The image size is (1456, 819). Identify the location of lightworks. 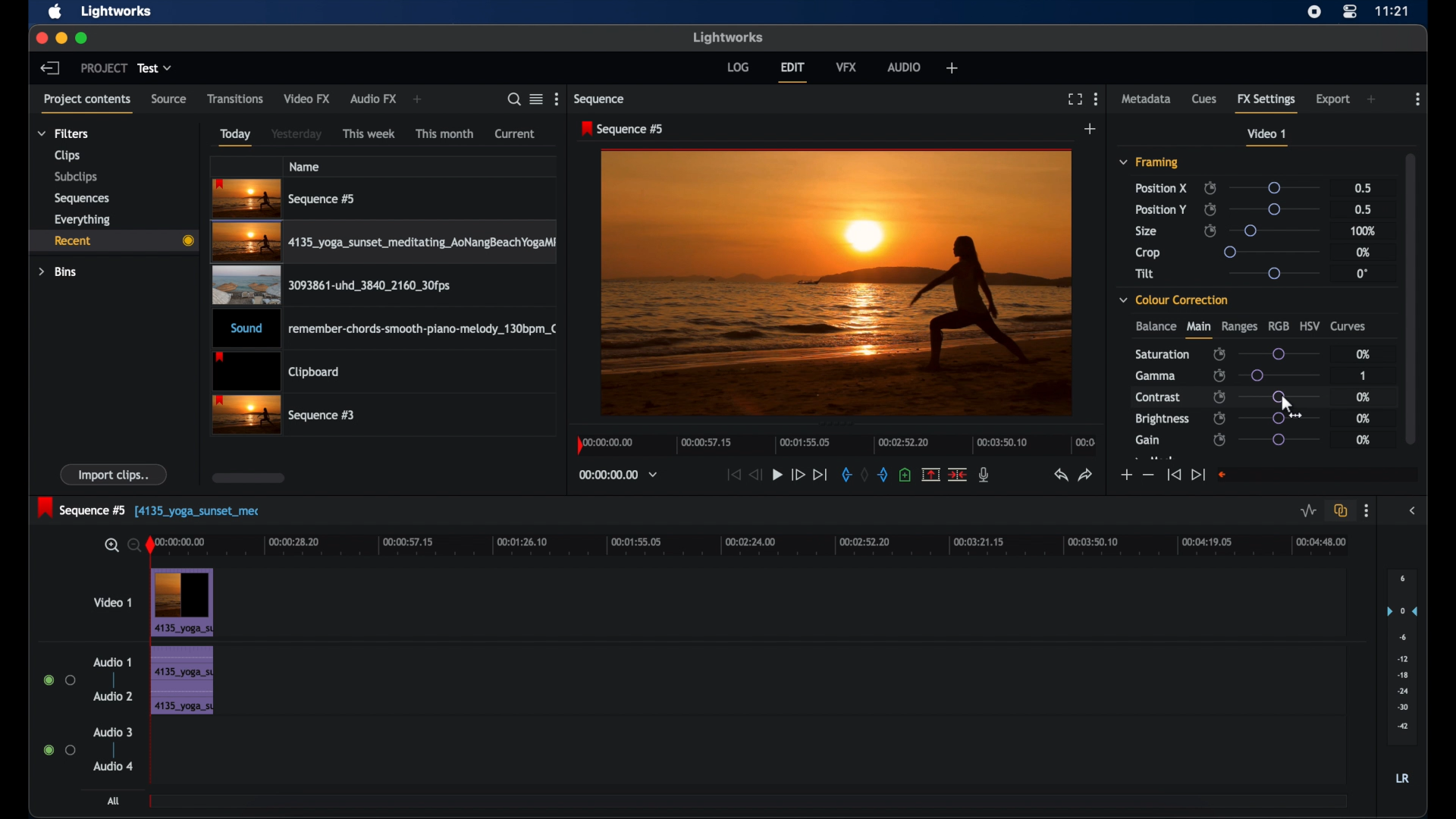
(117, 11).